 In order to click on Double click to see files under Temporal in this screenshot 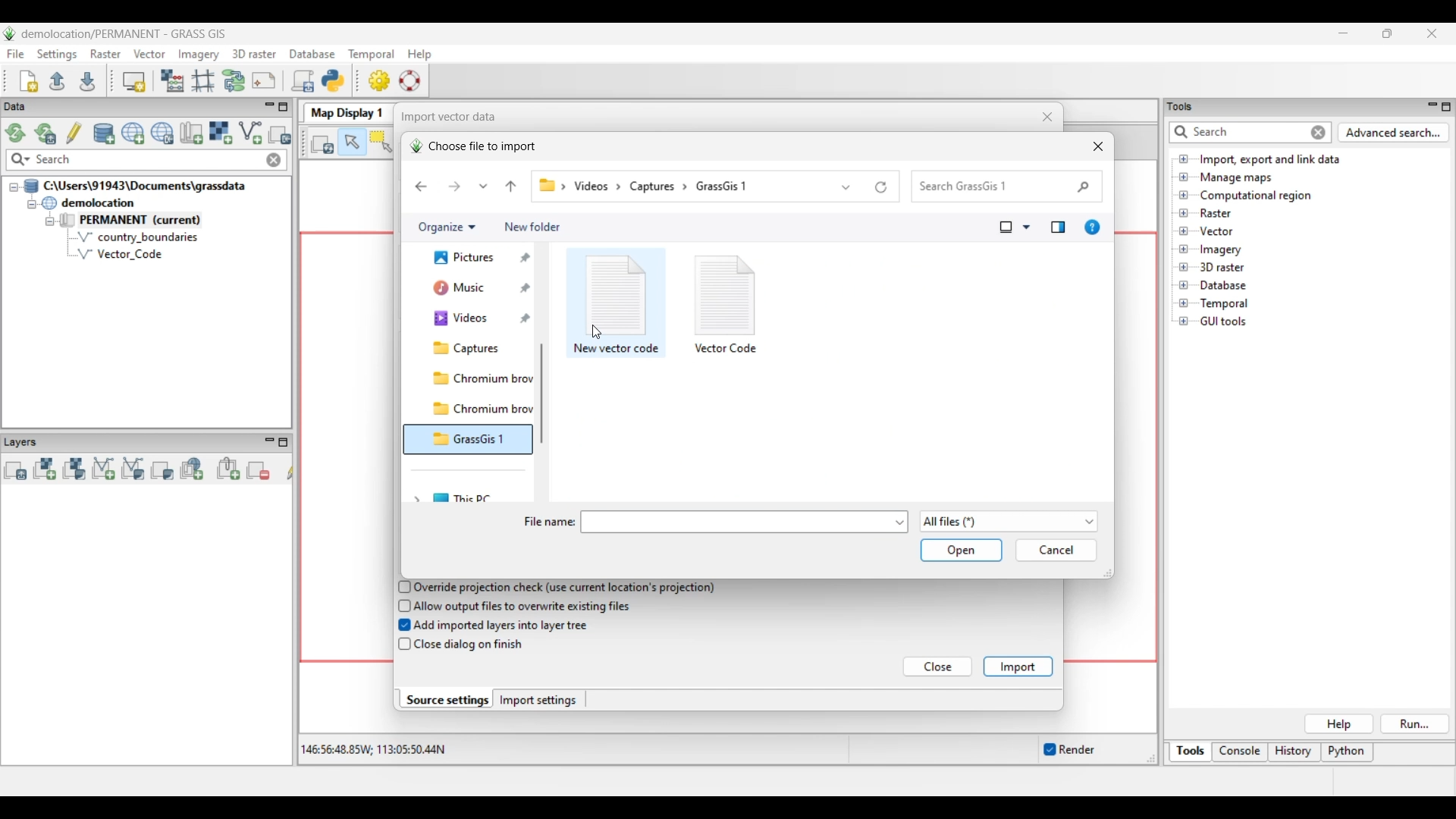, I will do `click(1224, 304)`.